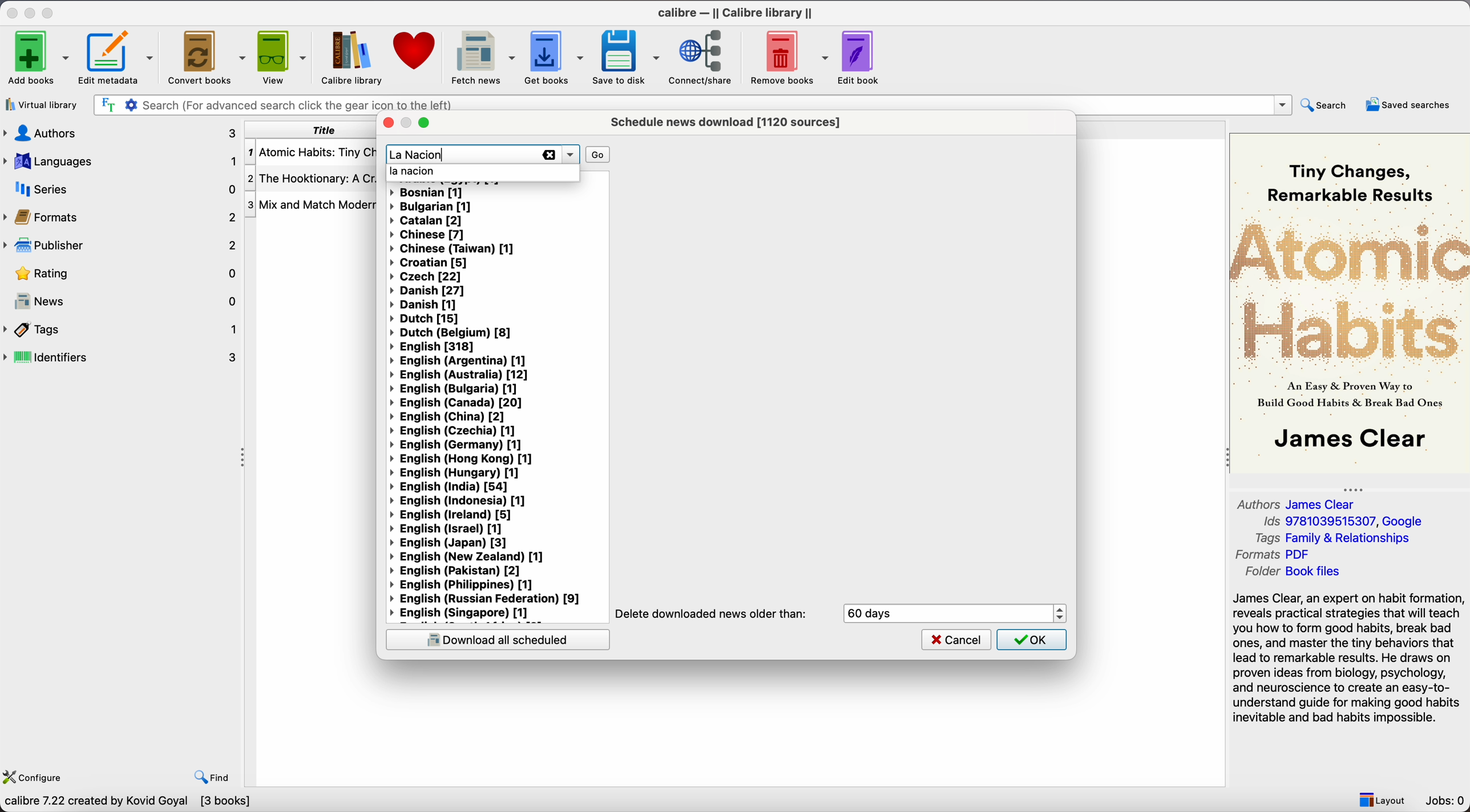  What do you see at coordinates (446, 529) in the screenshot?
I see `English (Israel) [1]` at bounding box center [446, 529].